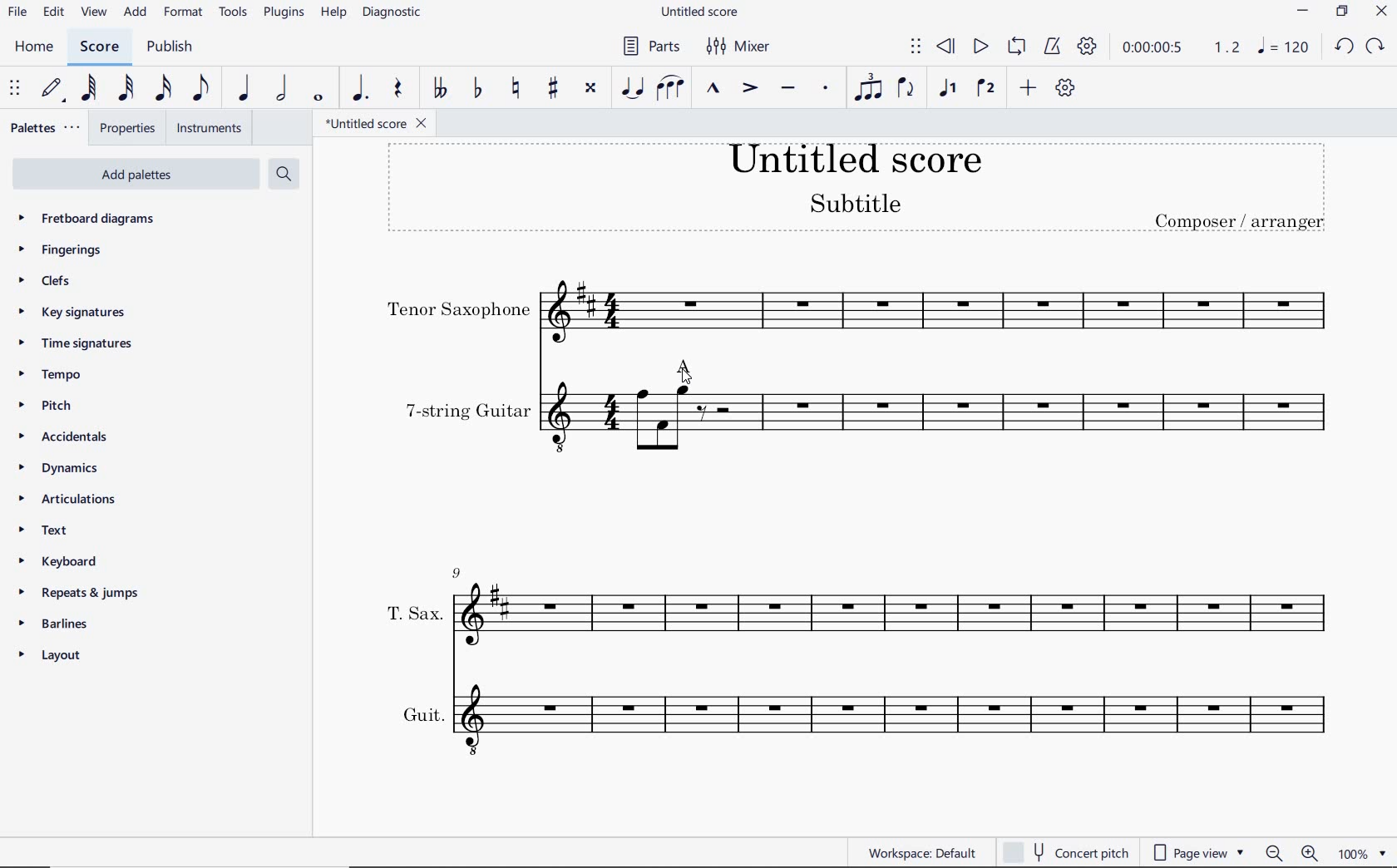  Describe the element at coordinates (52, 11) in the screenshot. I see `EDIT` at that location.